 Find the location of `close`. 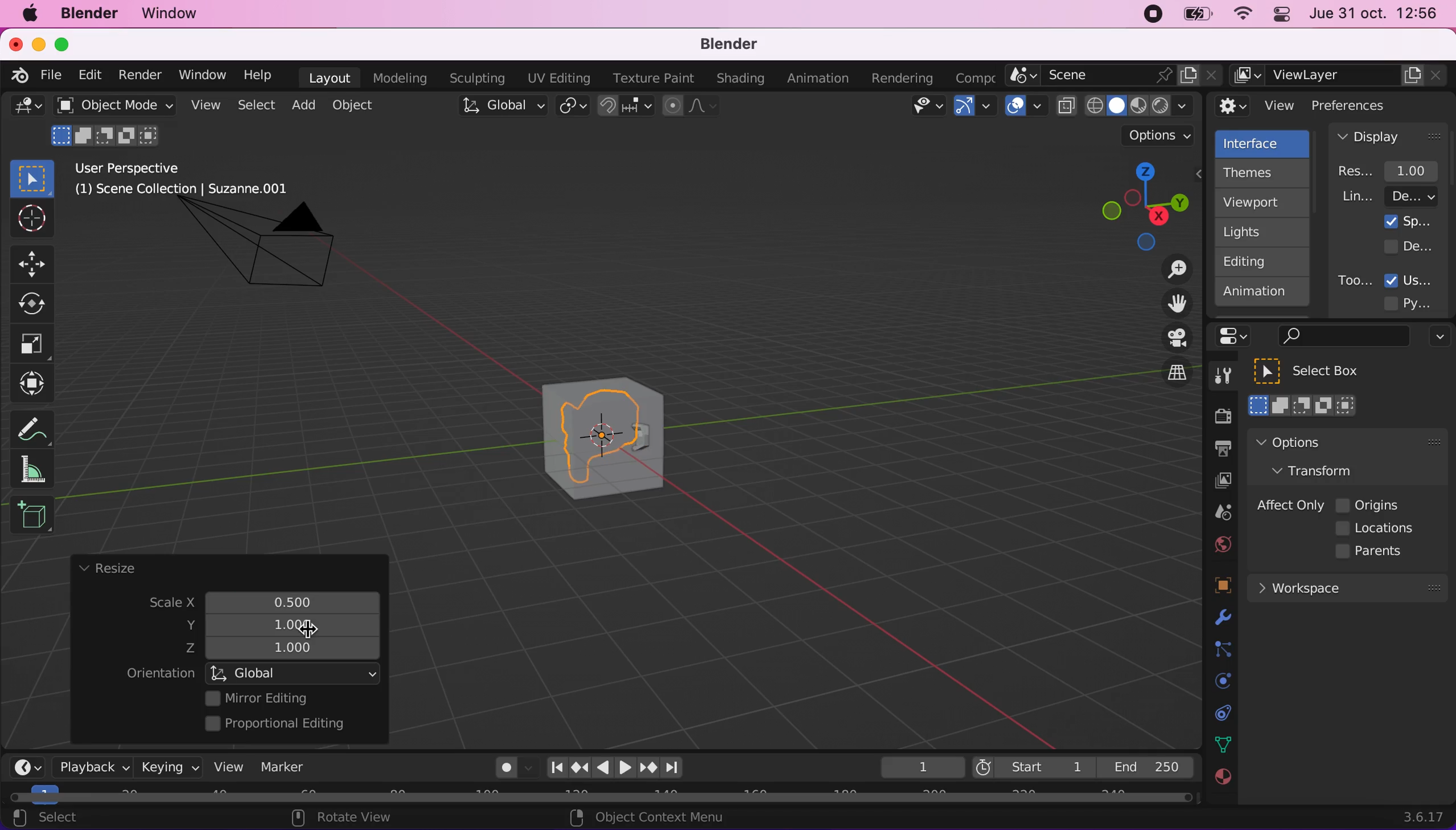

close is located at coordinates (15, 43).